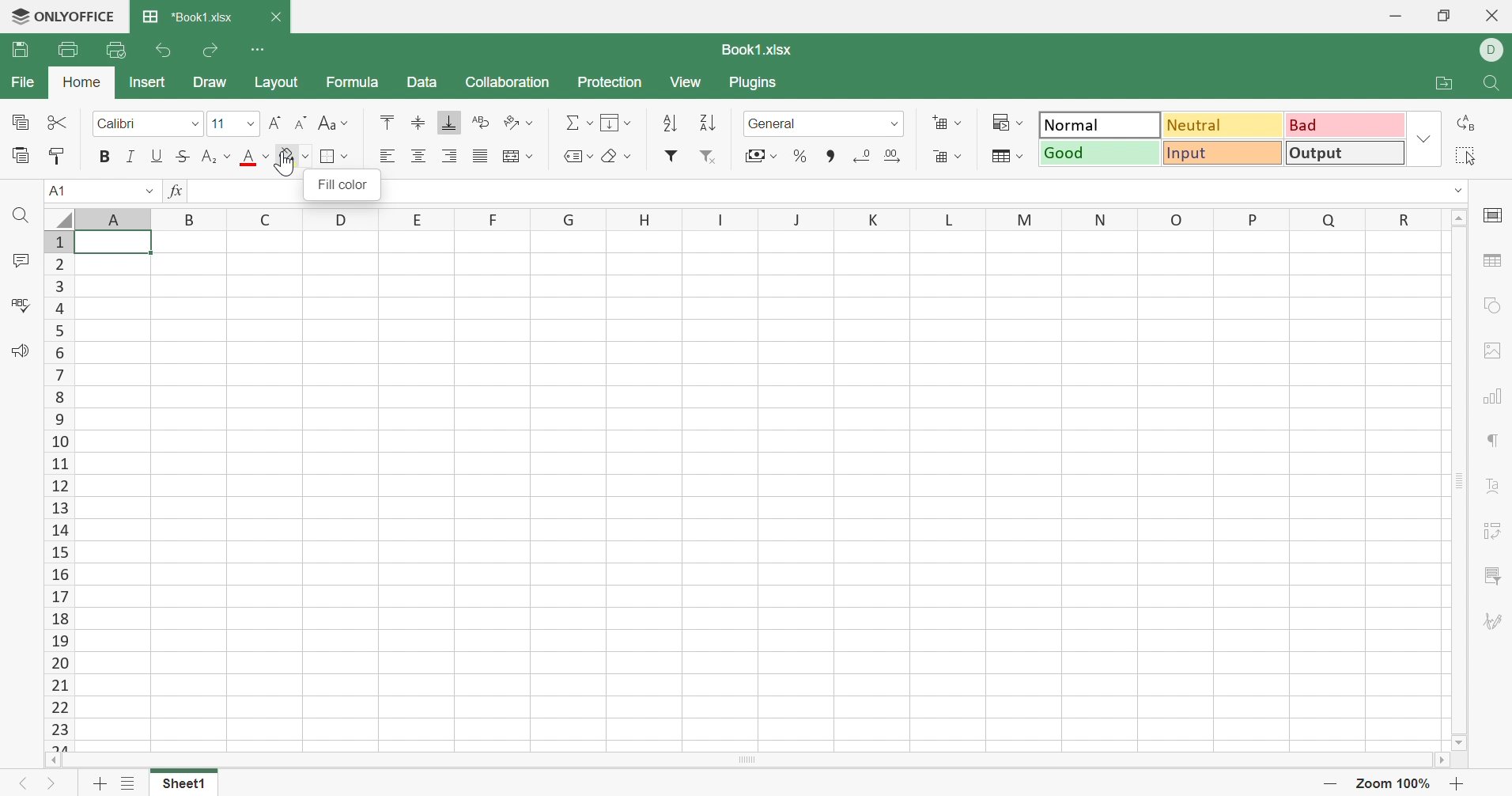 The width and height of the screenshot is (1512, 796). Describe the element at coordinates (100, 192) in the screenshot. I see `A1` at that location.